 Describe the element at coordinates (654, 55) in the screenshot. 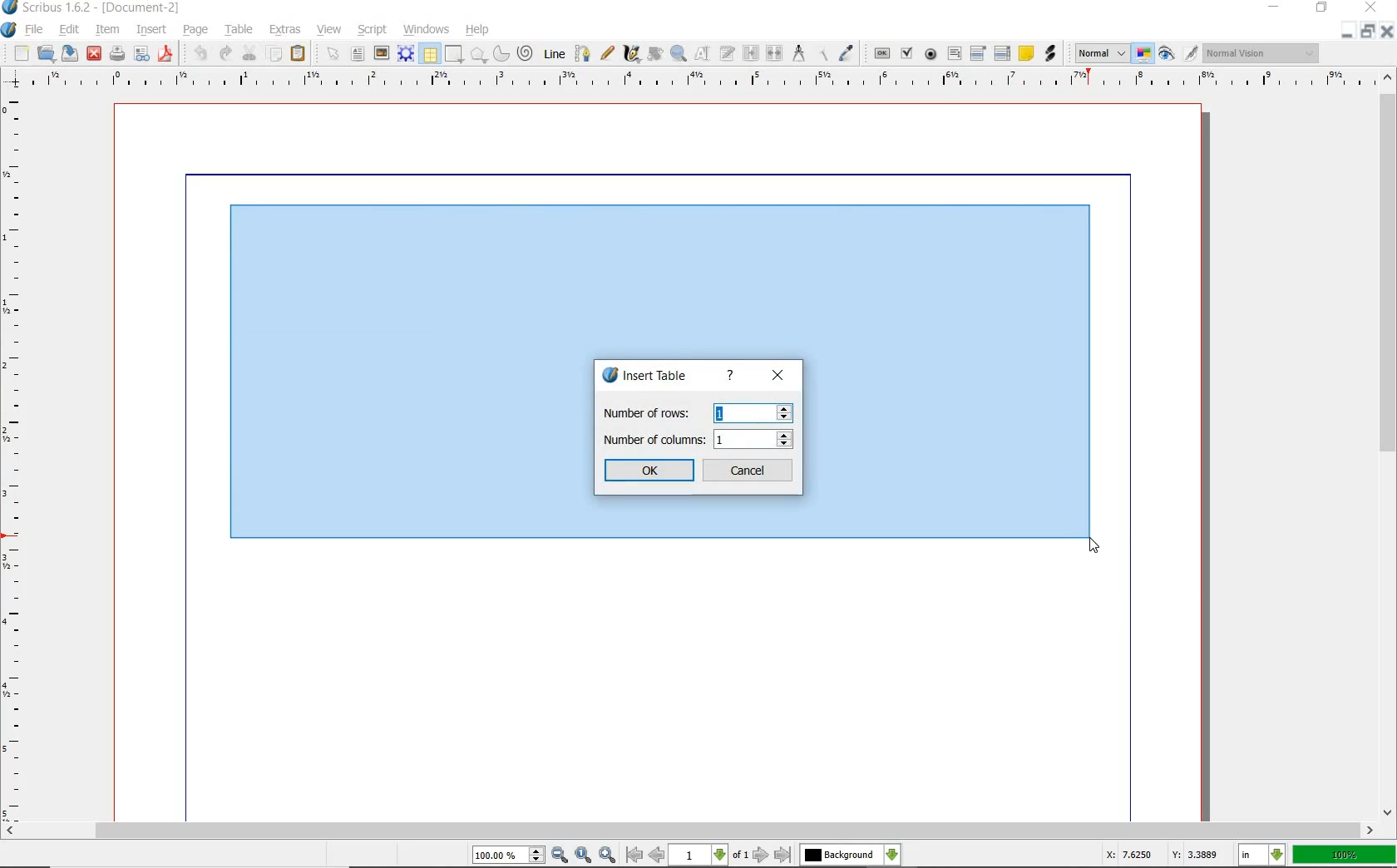

I see `rotate item` at that location.